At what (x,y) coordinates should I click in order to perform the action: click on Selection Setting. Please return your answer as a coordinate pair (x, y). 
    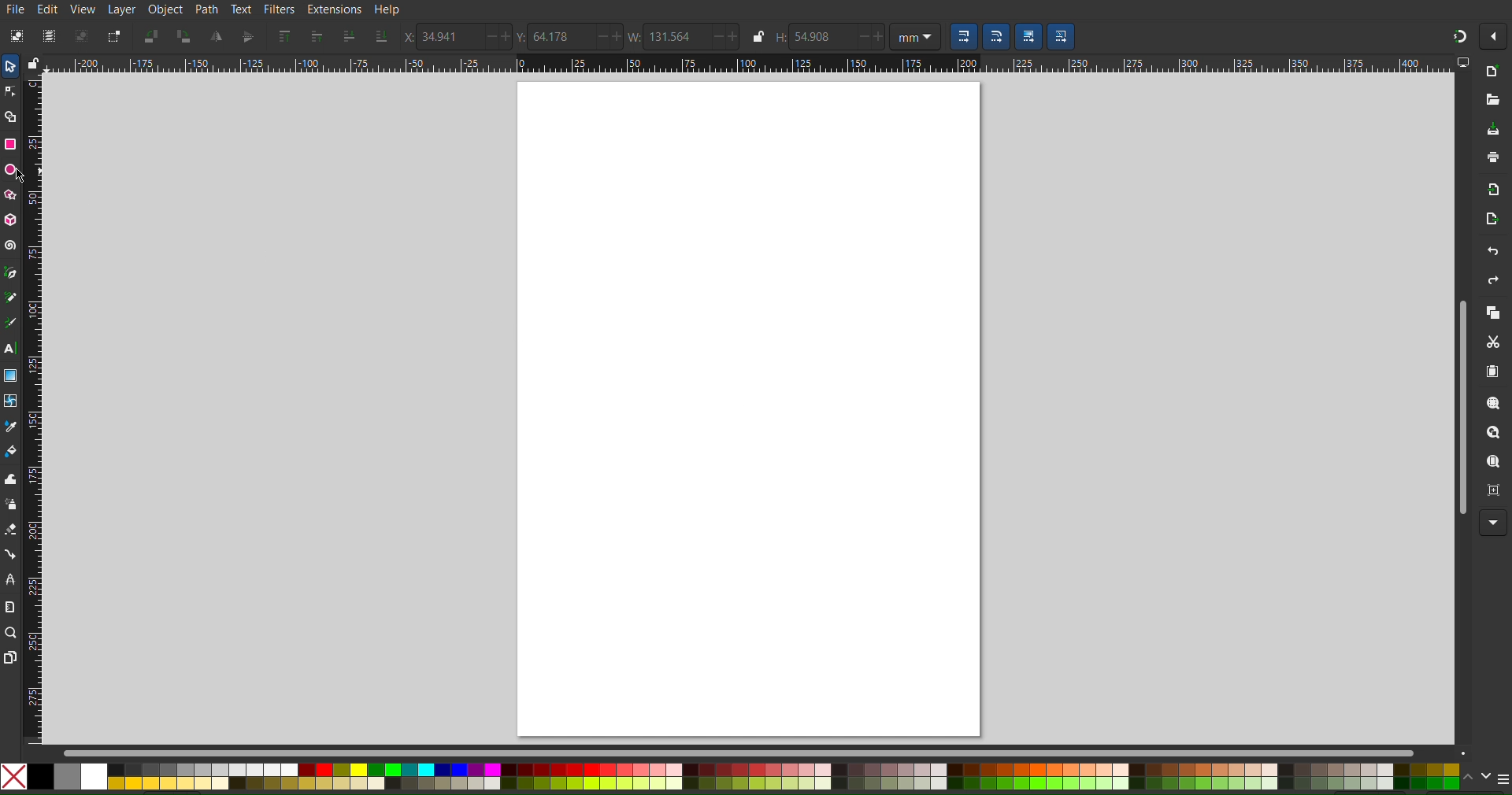
    Looking at the image, I should click on (997, 36).